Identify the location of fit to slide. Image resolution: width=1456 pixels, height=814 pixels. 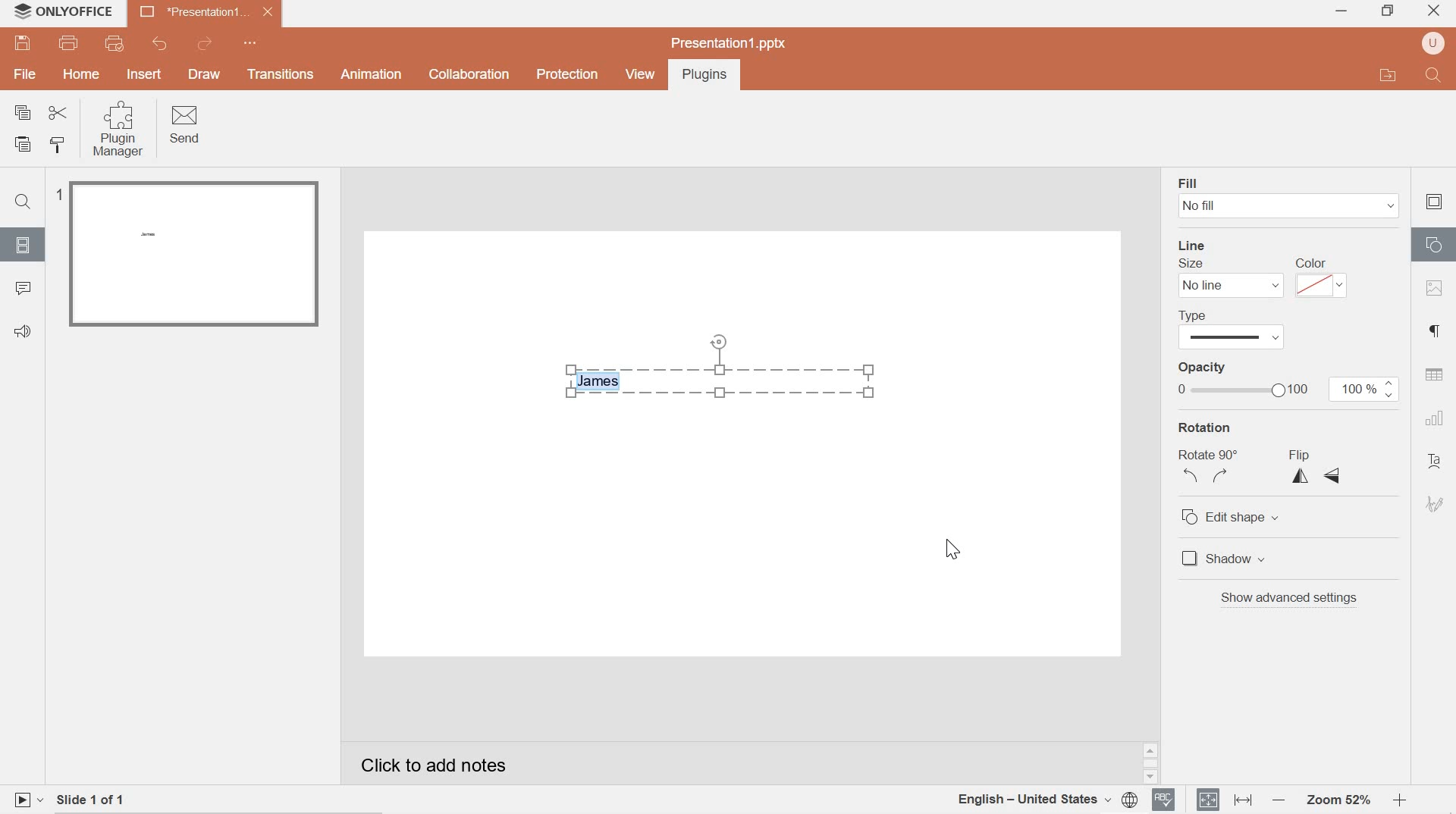
(1208, 800).